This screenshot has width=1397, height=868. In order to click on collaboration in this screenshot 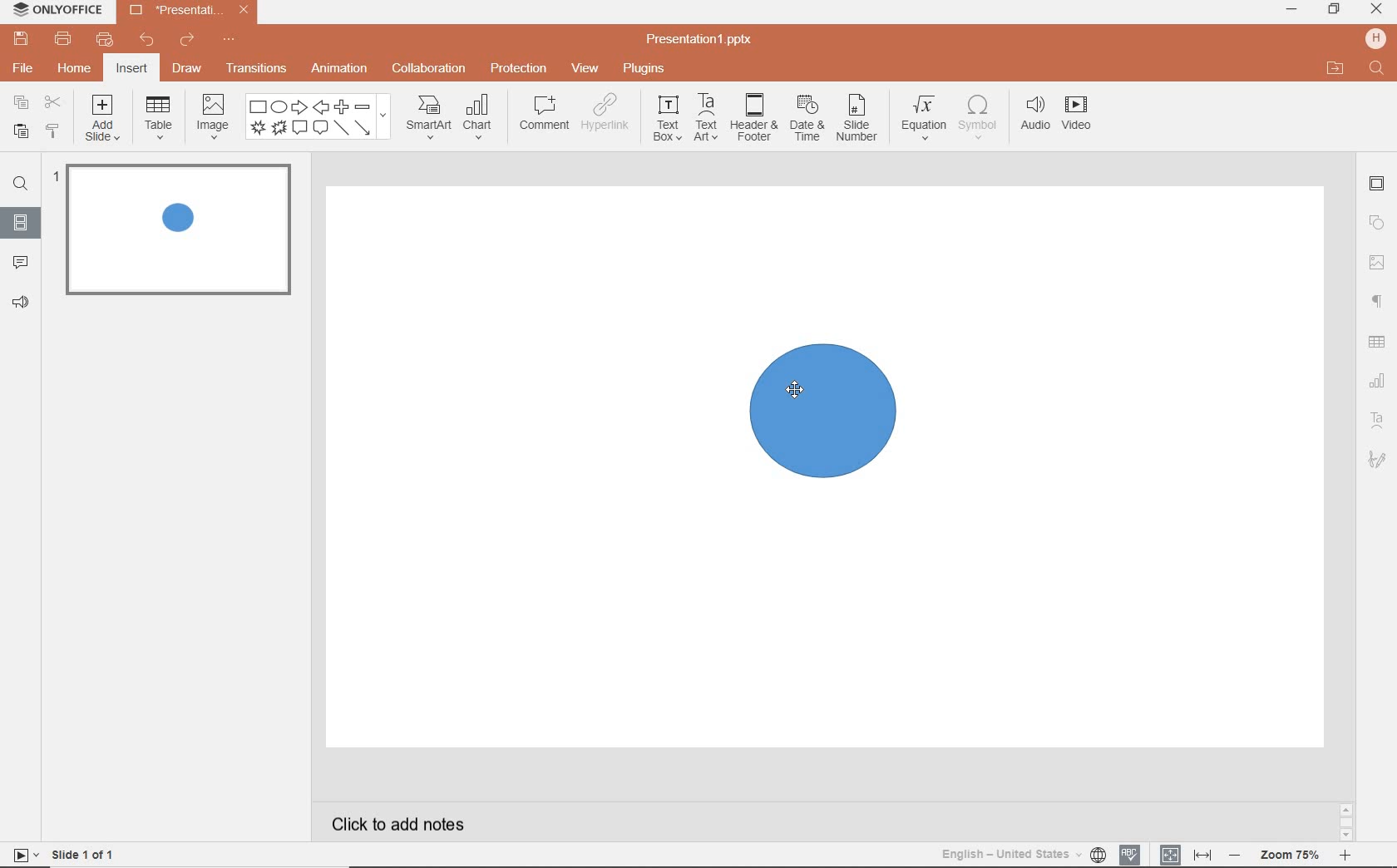, I will do `click(430, 70)`.